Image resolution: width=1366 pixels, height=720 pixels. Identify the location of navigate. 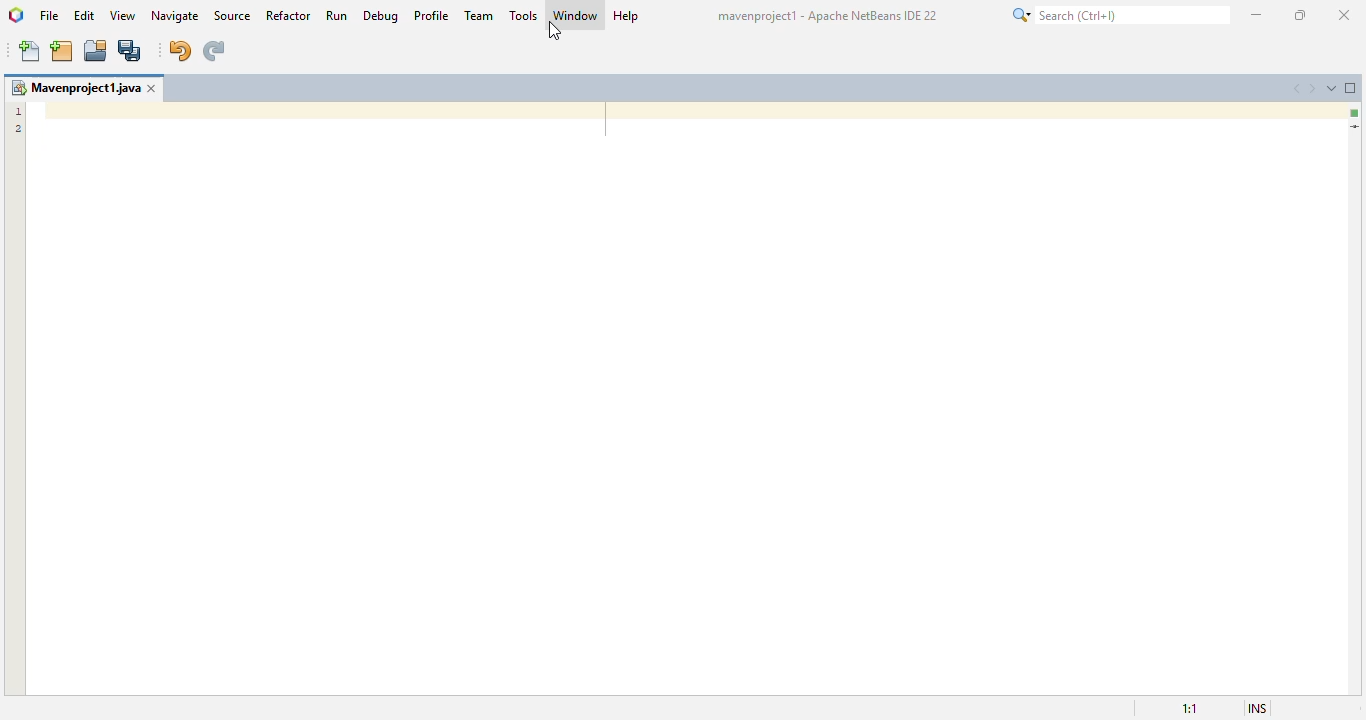
(177, 15).